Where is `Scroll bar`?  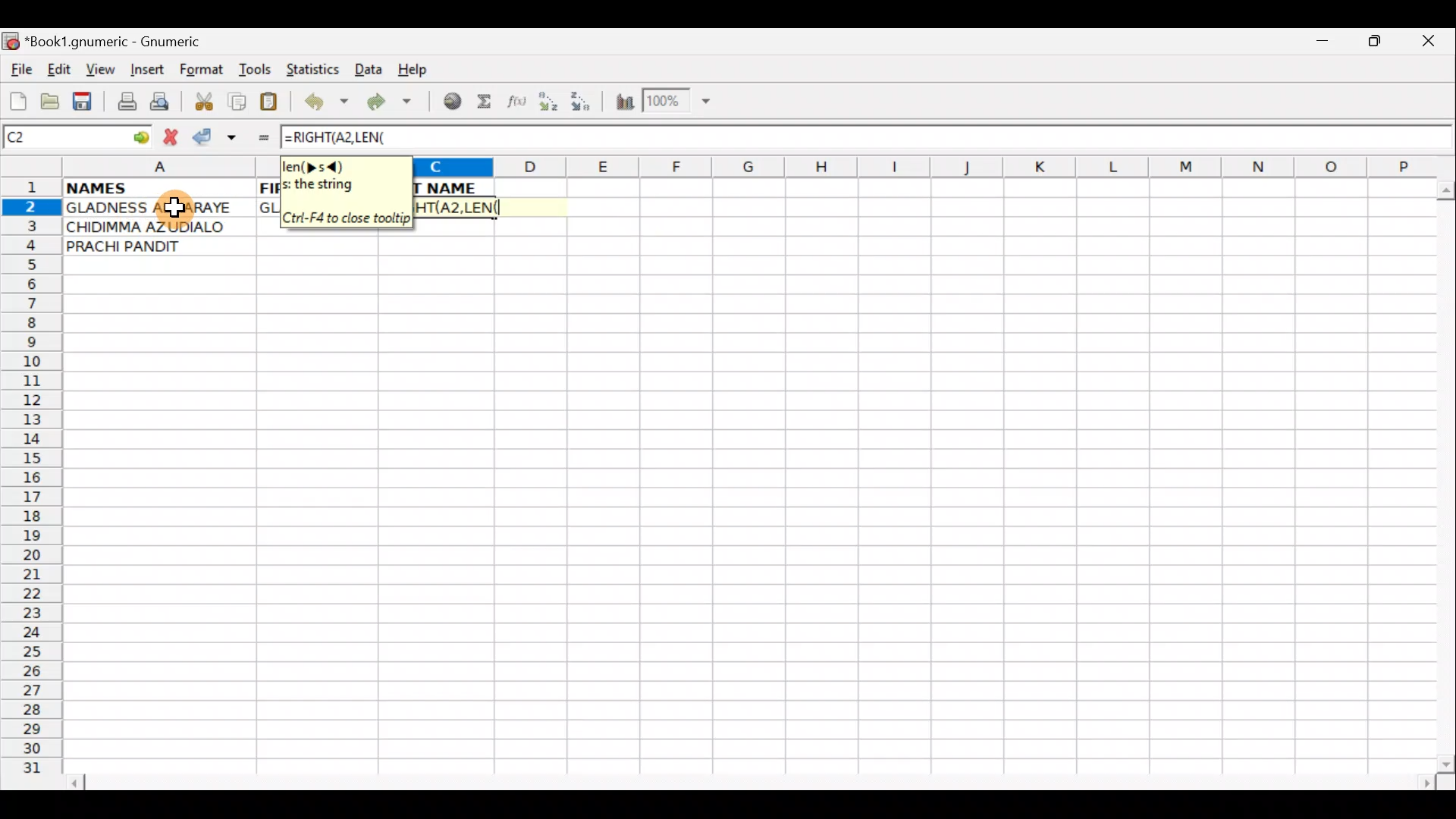
Scroll bar is located at coordinates (754, 780).